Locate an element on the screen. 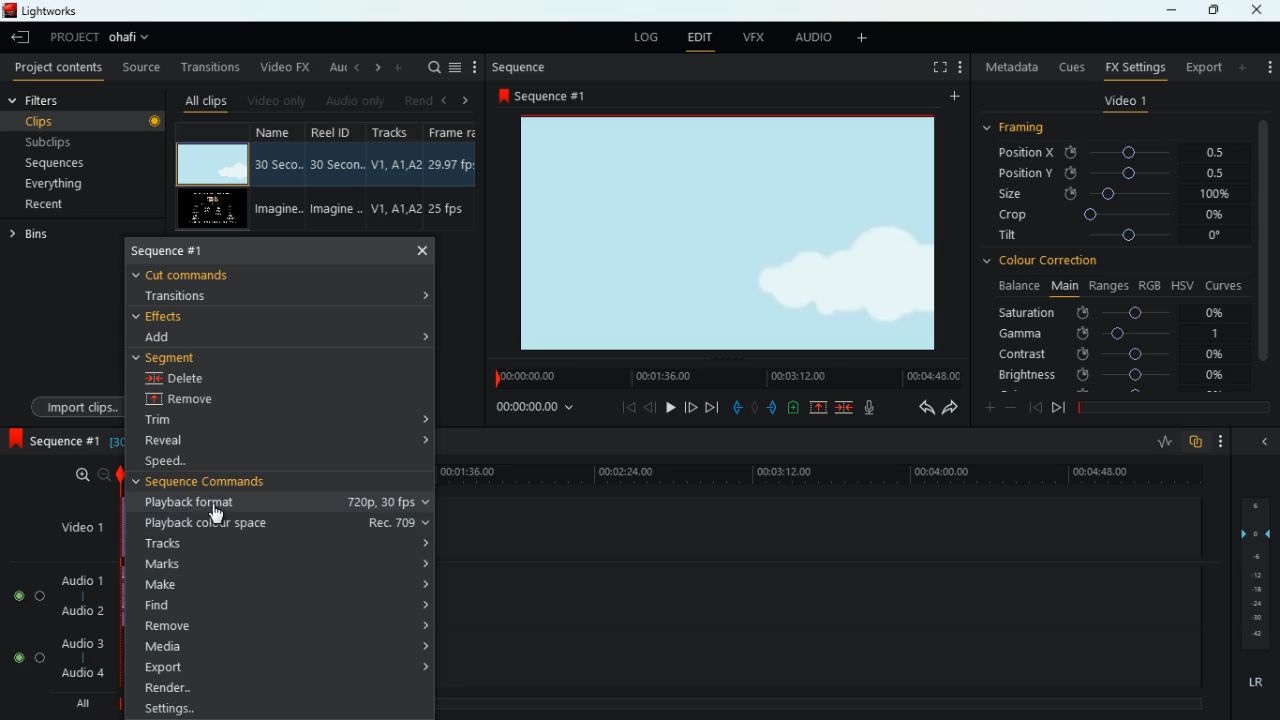 Image resolution: width=1280 pixels, height=720 pixels. time is located at coordinates (537, 409).